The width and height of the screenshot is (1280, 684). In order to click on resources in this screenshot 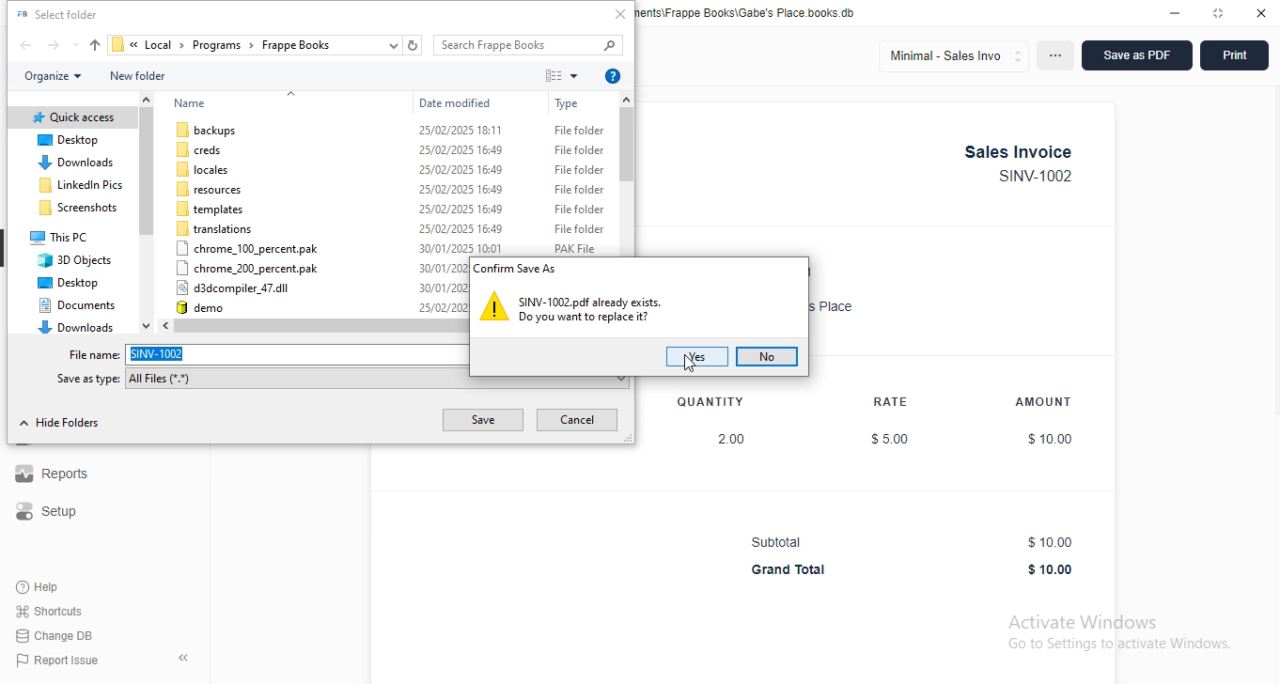, I will do `click(208, 189)`.